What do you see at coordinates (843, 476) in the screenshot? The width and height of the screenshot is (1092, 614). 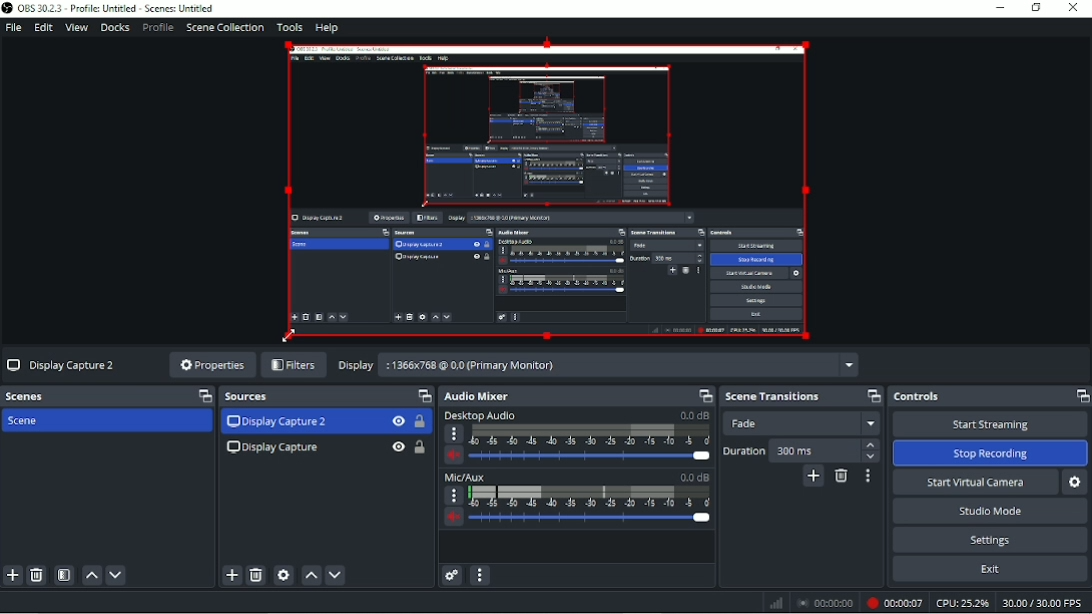 I see `Remove cofigurable transition` at bounding box center [843, 476].